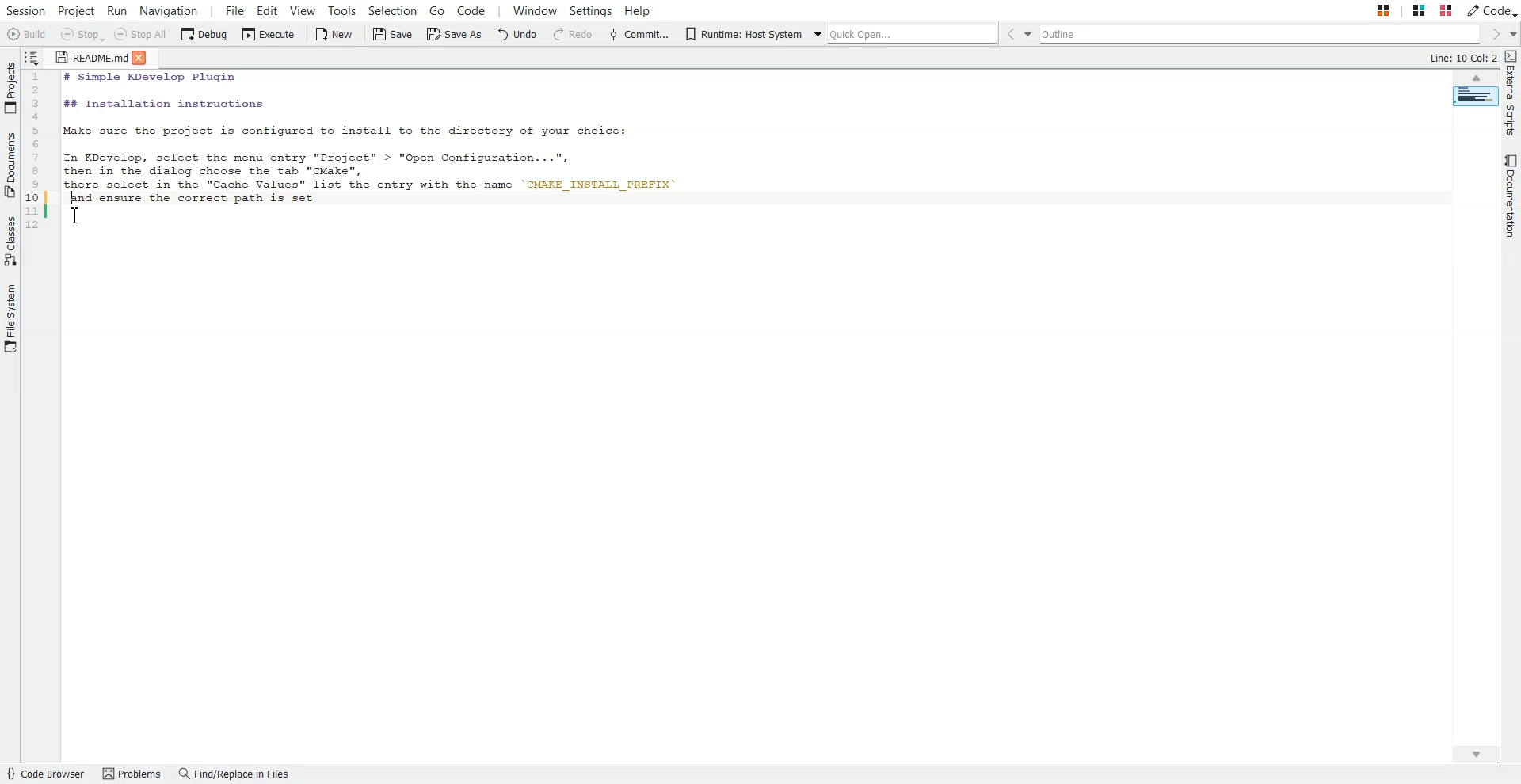 The width and height of the screenshot is (1521, 784). What do you see at coordinates (470, 10) in the screenshot?
I see `Code` at bounding box center [470, 10].